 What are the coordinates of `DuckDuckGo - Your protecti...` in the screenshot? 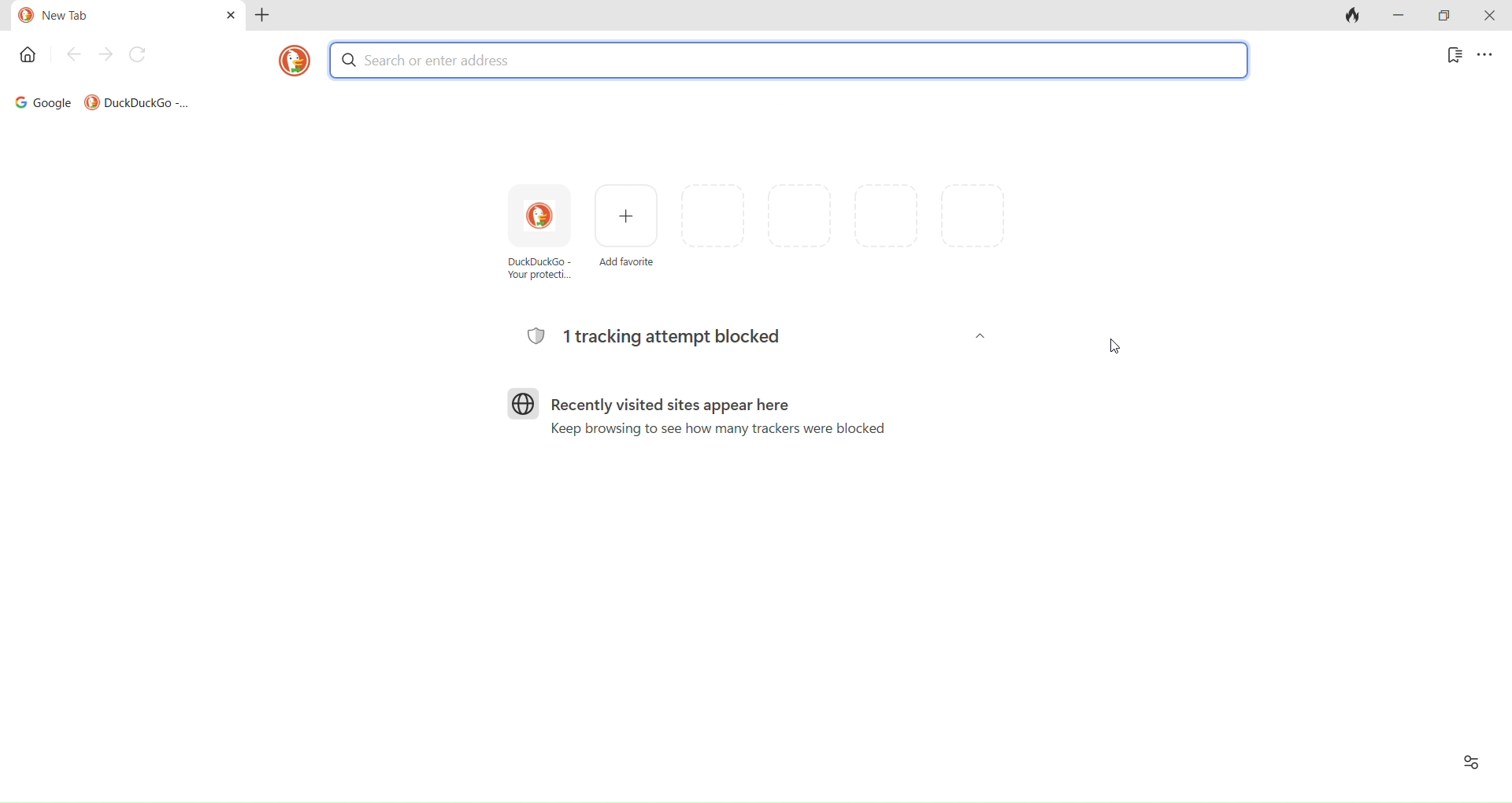 It's located at (542, 243).